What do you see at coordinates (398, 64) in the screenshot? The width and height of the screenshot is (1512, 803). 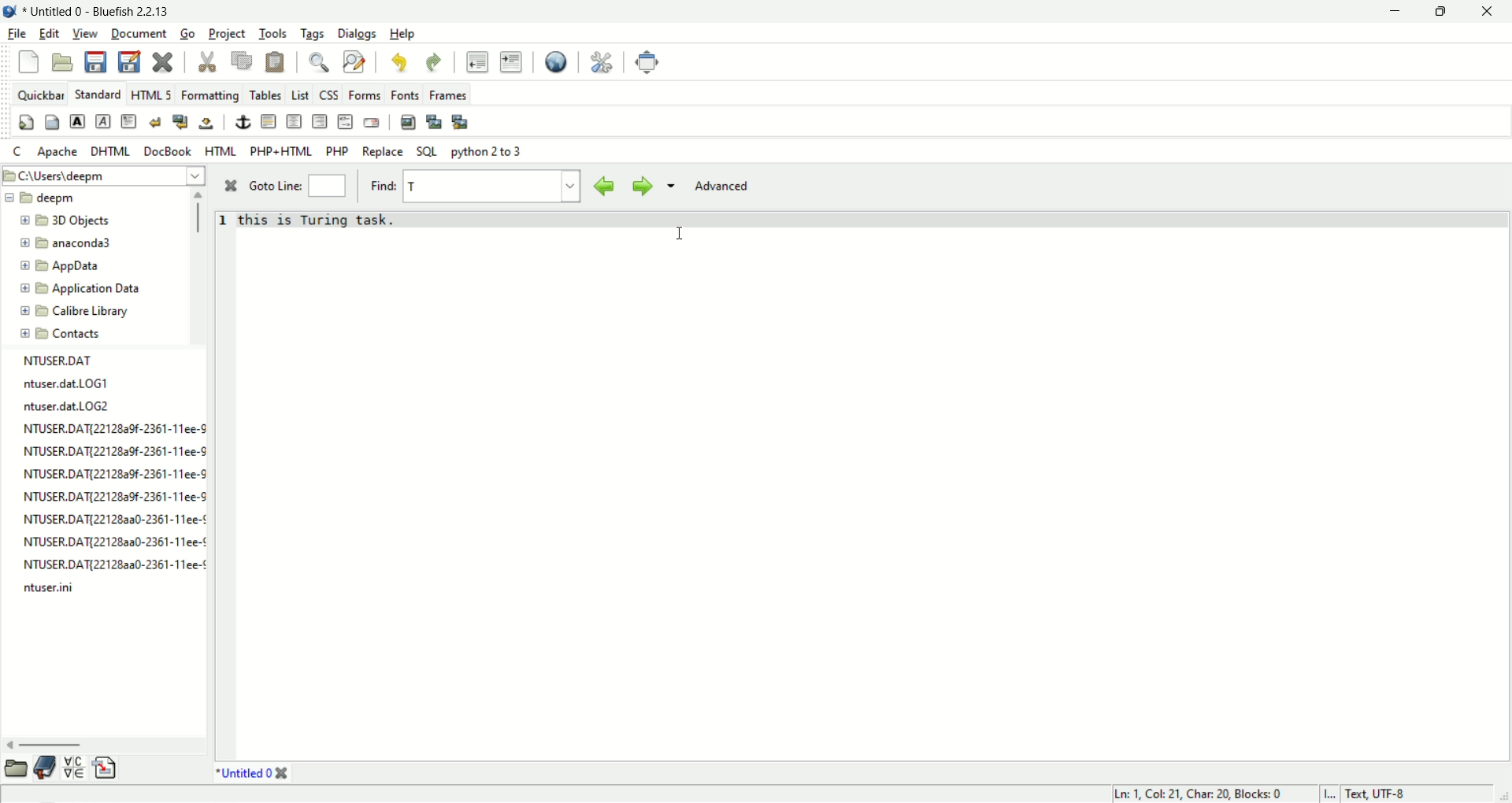 I see `undo` at bounding box center [398, 64].